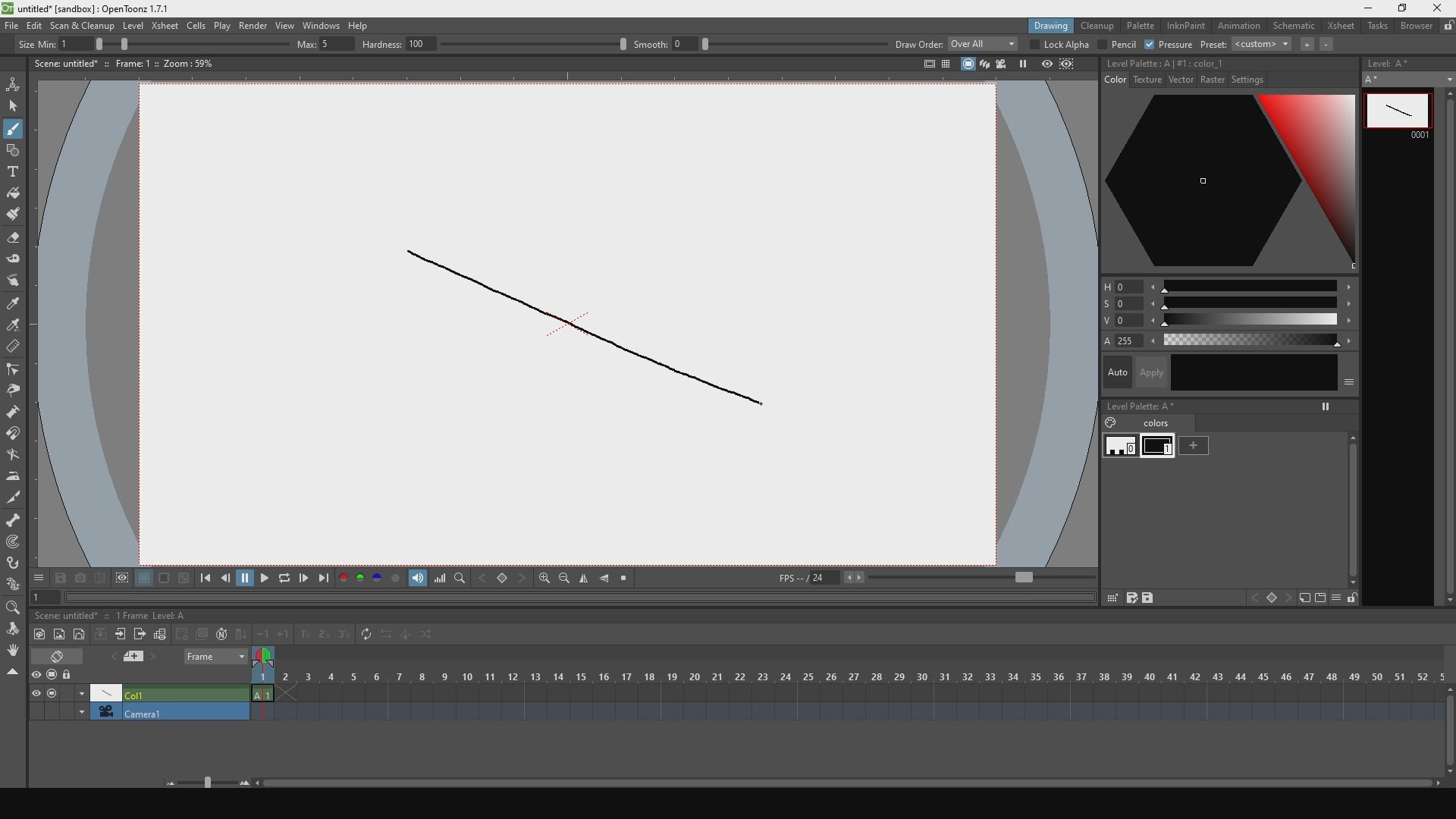 The width and height of the screenshot is (1456, 819). I want to click on zoom out, so click(565, 579).